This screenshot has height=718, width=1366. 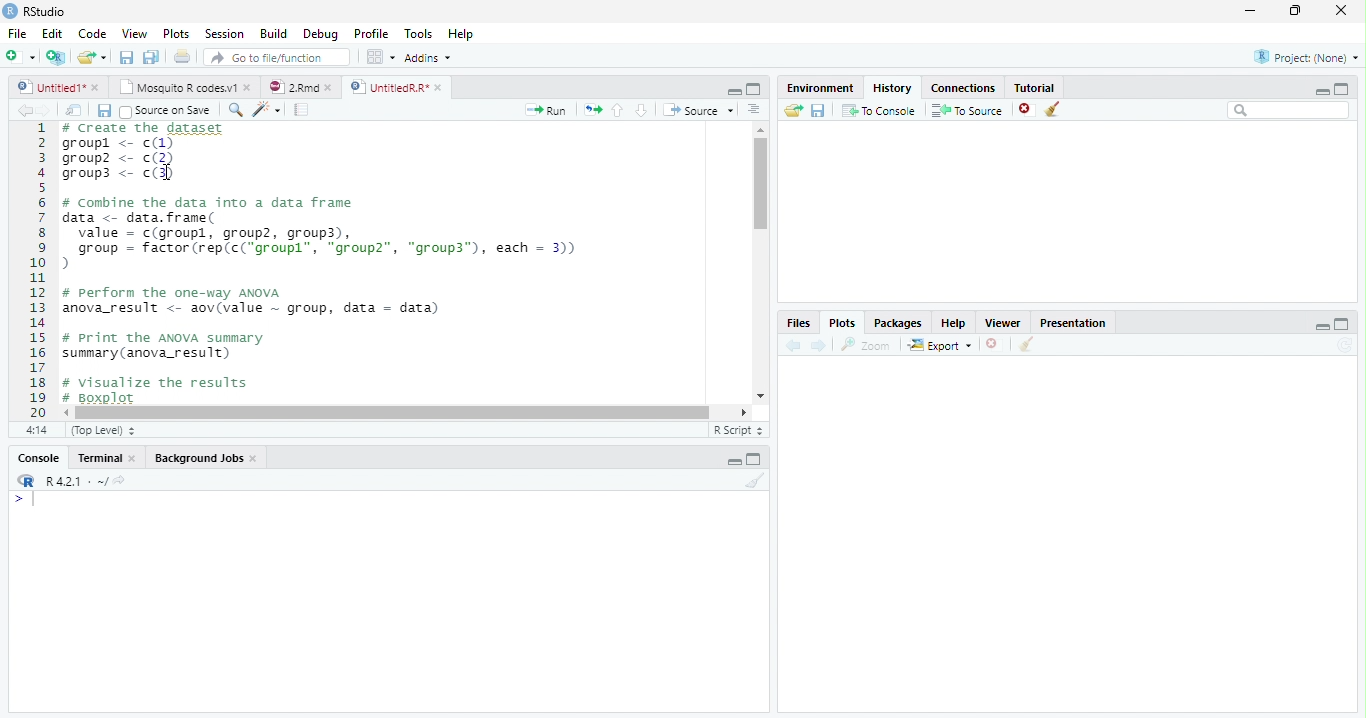 What do you see at coordinates (954, 323) in the screenshot?
I see `help` at bounding box center [954, 323].